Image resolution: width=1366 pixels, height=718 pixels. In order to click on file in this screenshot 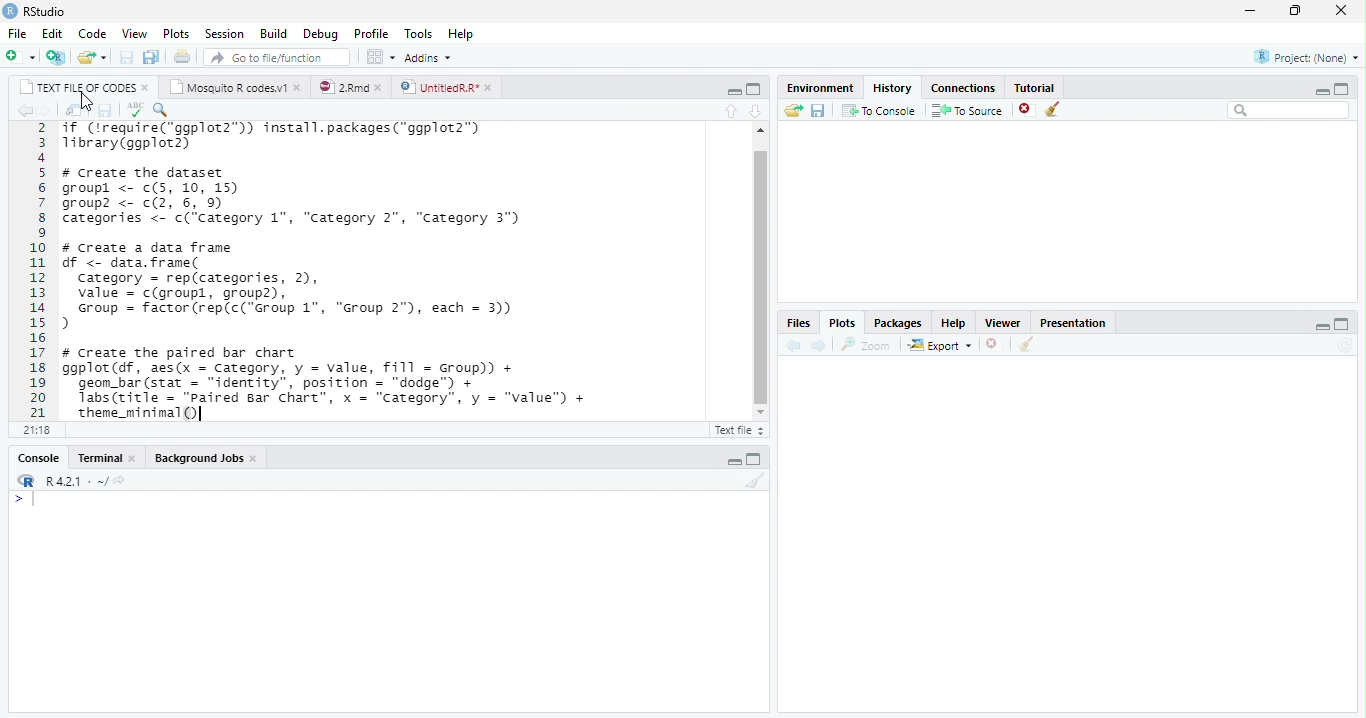, I will do `click(15, 32)`.